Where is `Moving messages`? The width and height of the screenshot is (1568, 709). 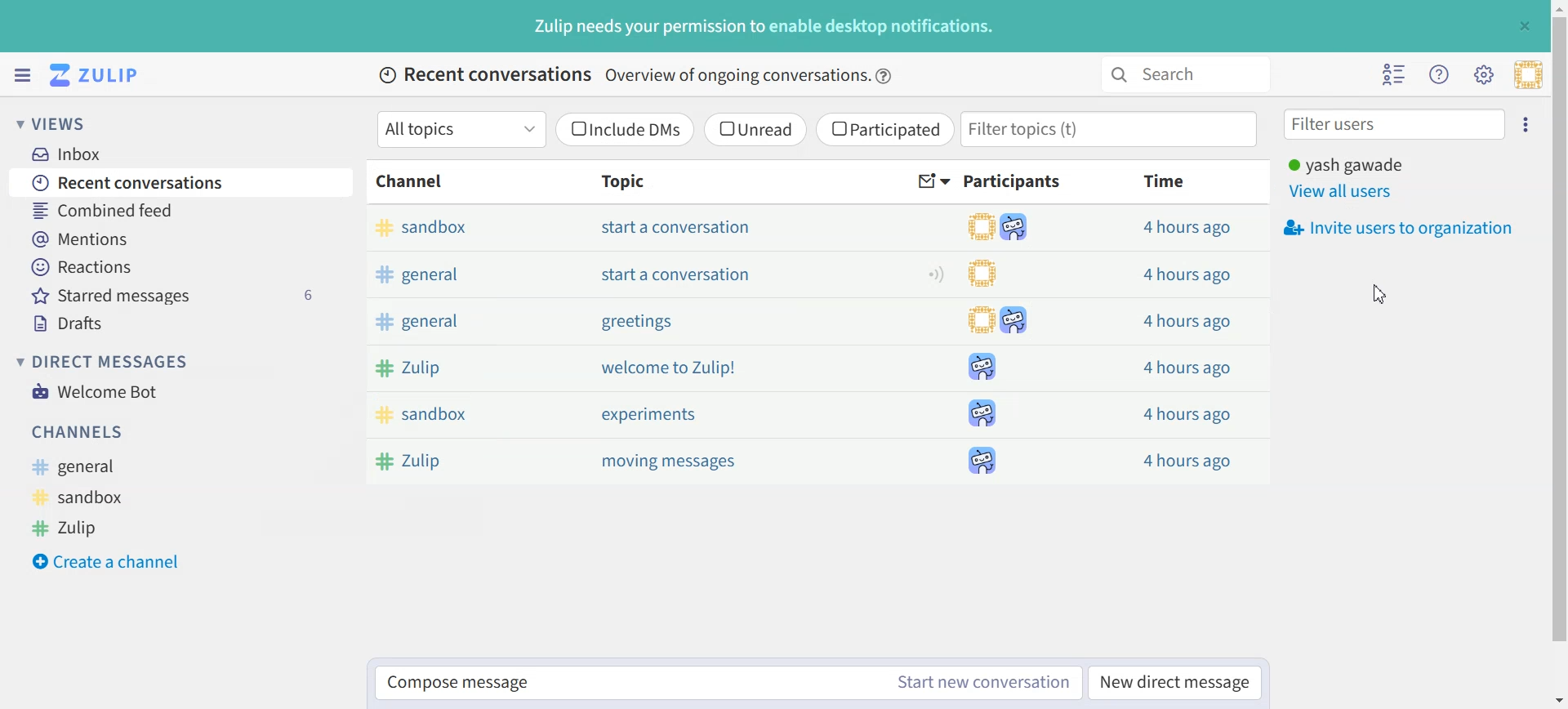 Moving messages is located at coordinates (674, 462).